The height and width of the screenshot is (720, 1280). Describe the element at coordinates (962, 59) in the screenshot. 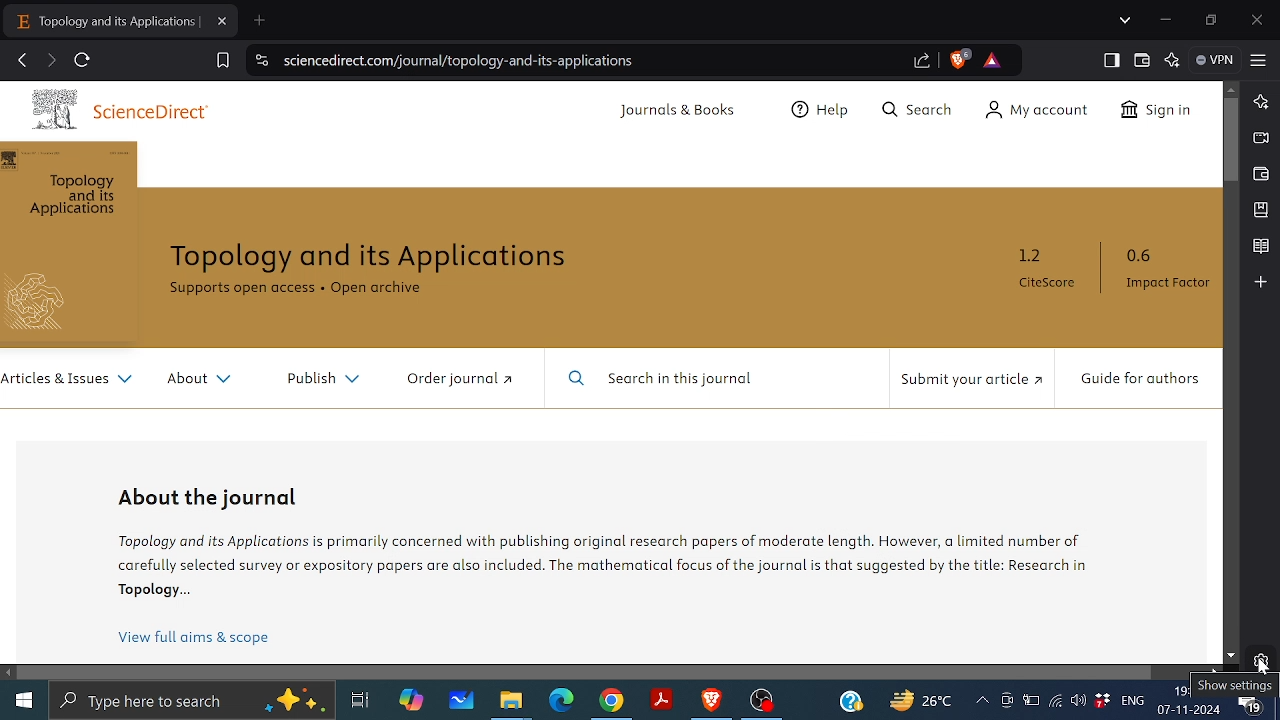

I see `Brave shield` at that location.